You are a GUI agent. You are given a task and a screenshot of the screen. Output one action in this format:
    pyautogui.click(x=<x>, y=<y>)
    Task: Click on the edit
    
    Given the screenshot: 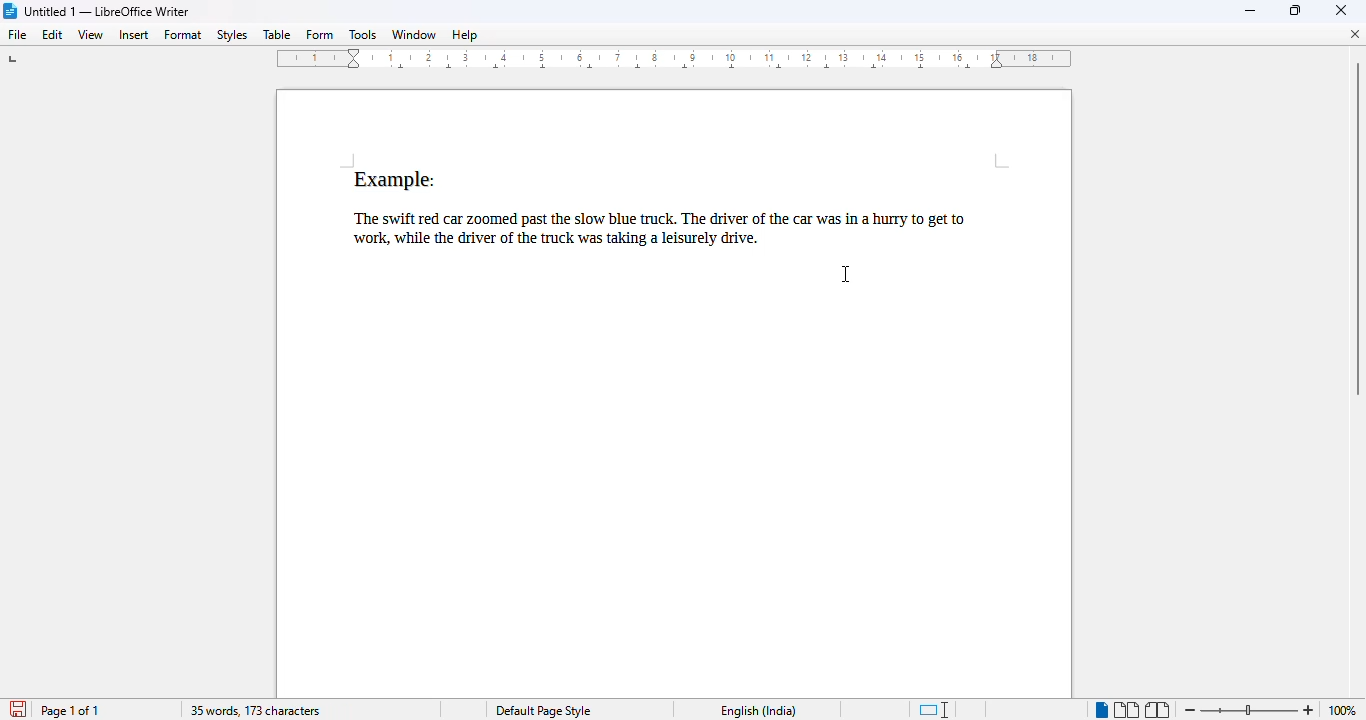 What is the action you would take?
    pyautogui.click(x=53, y=35)
    